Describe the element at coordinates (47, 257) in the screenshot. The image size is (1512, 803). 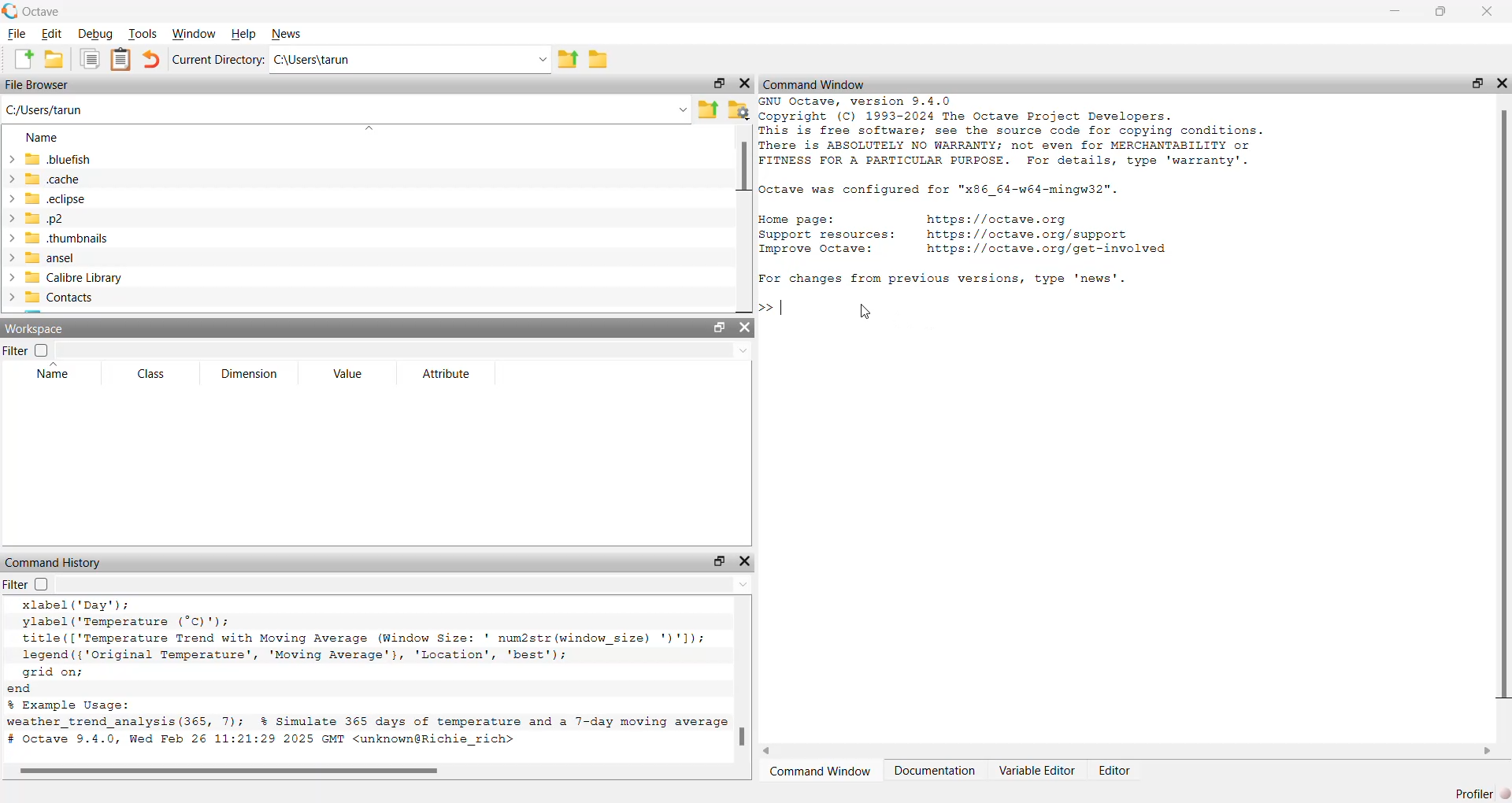
I see `~ansel` at that location.